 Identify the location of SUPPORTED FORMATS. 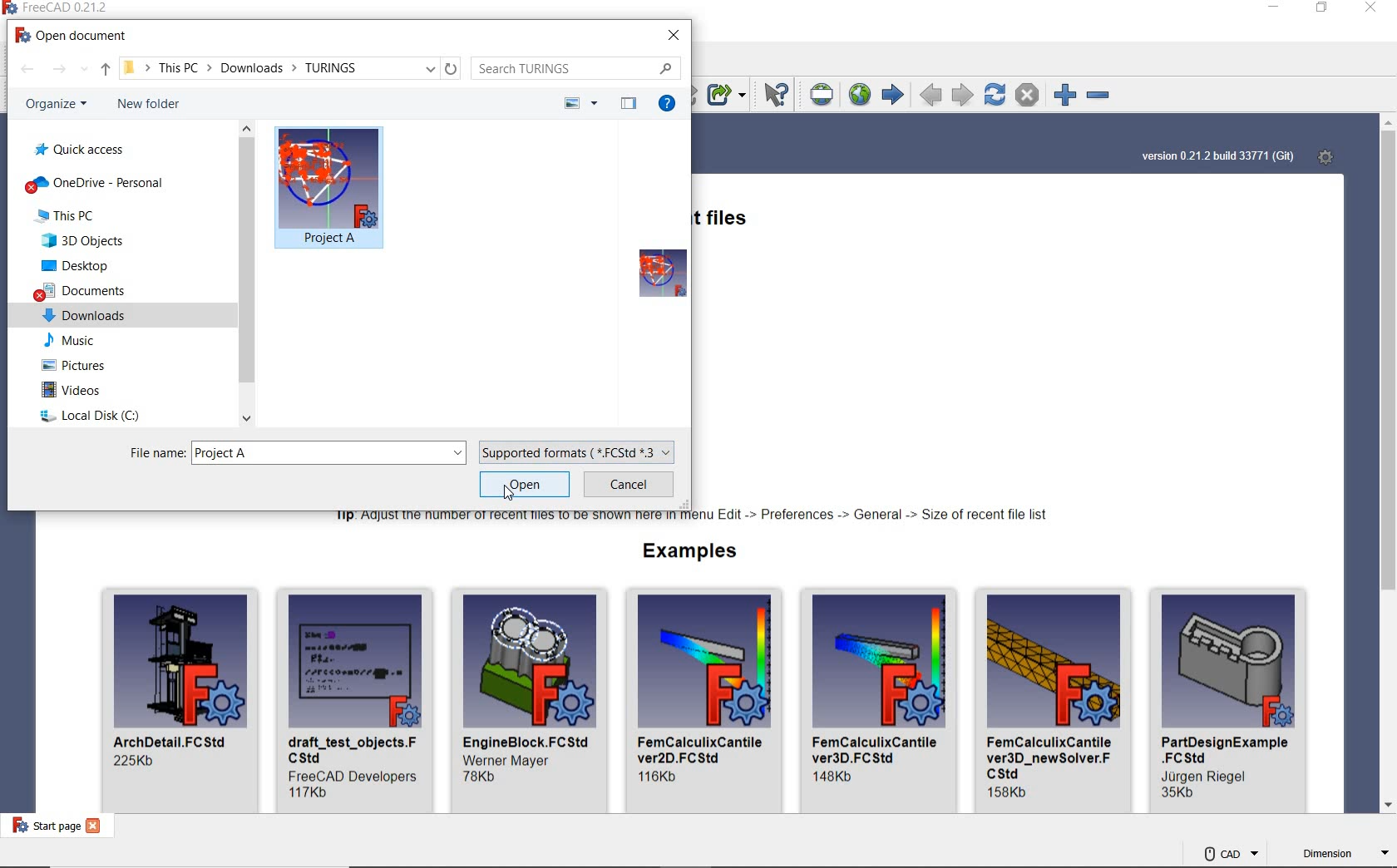
(579, 452).